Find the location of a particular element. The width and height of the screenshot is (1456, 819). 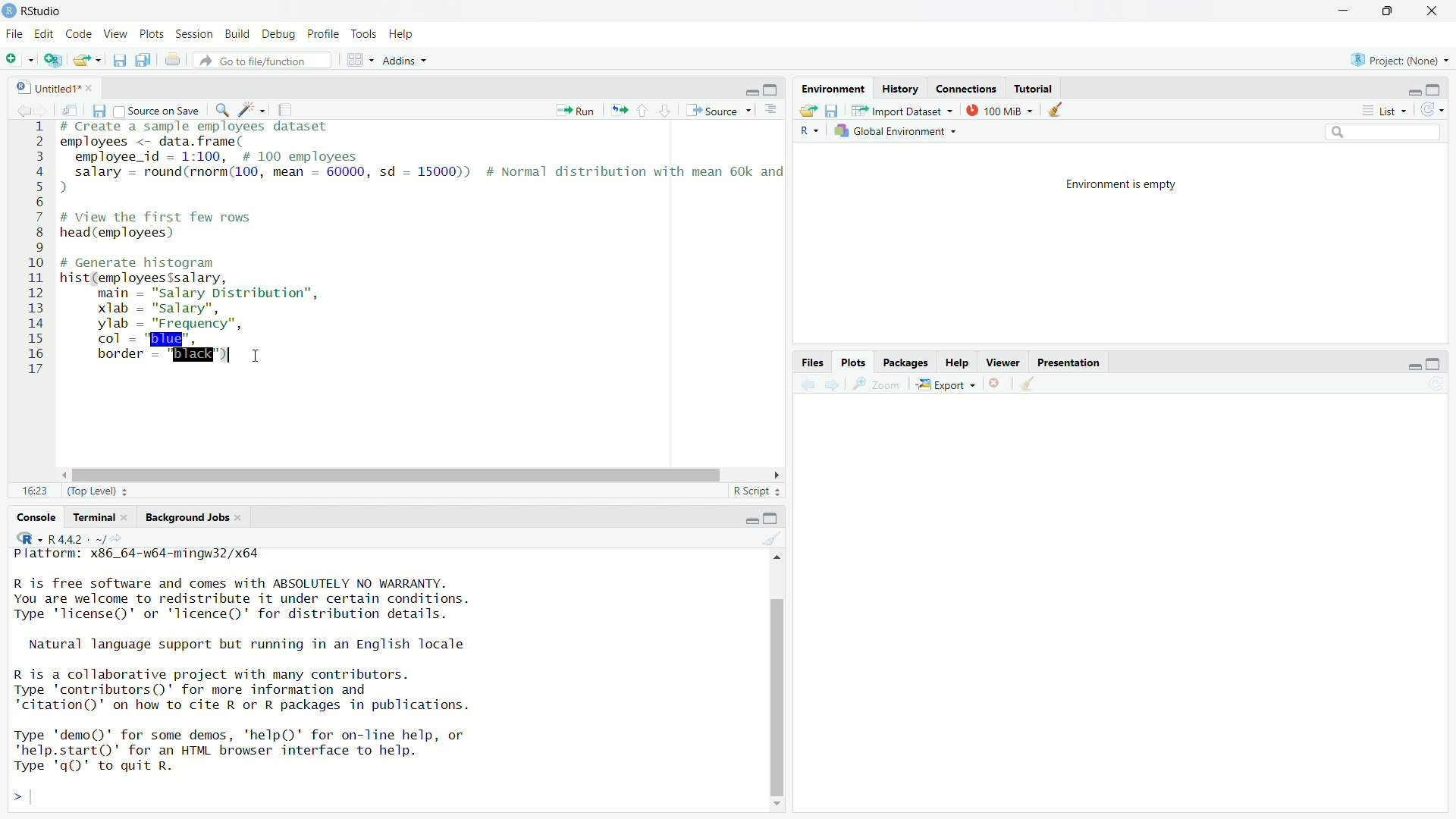

Environment is empty is located at coordinates (1119, 186).